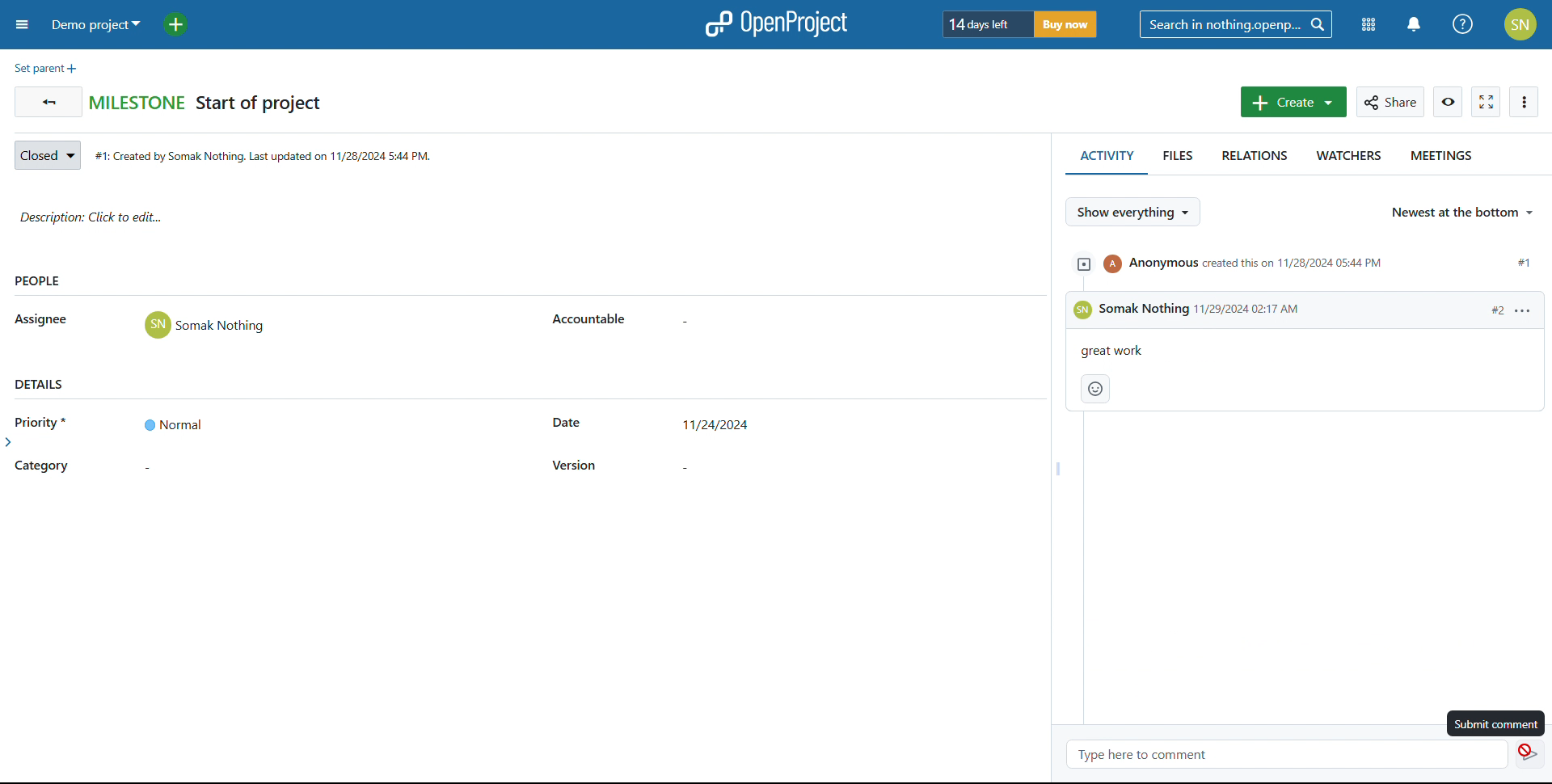 The width and height of the screenshot is (1552, 784). What do you see at coordinates (1132, 211) in the screenshot?
I see `selct what to show` at bounding box center [1132, 211].